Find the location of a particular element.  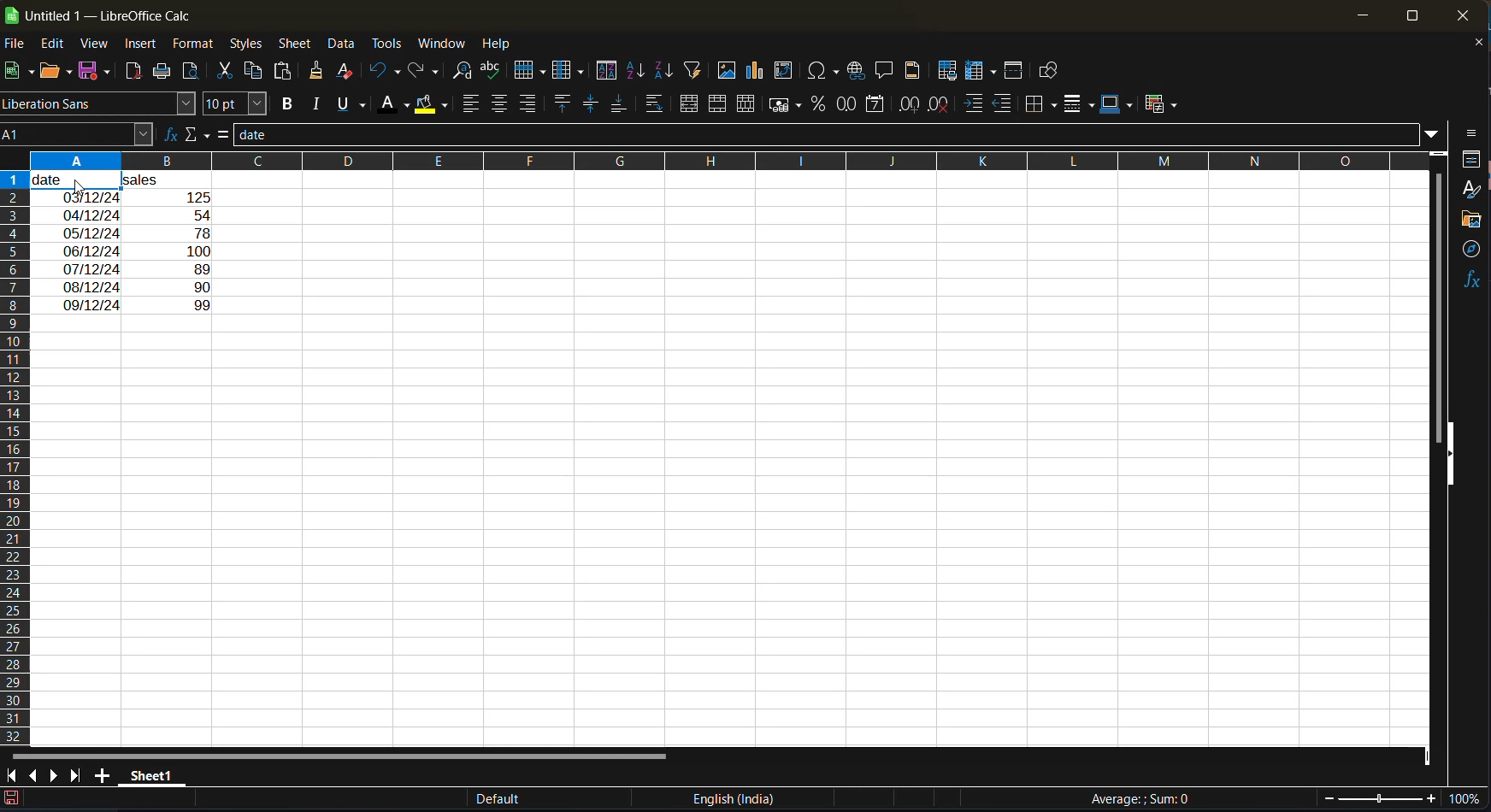

underline is located at coordinates (352, 105).